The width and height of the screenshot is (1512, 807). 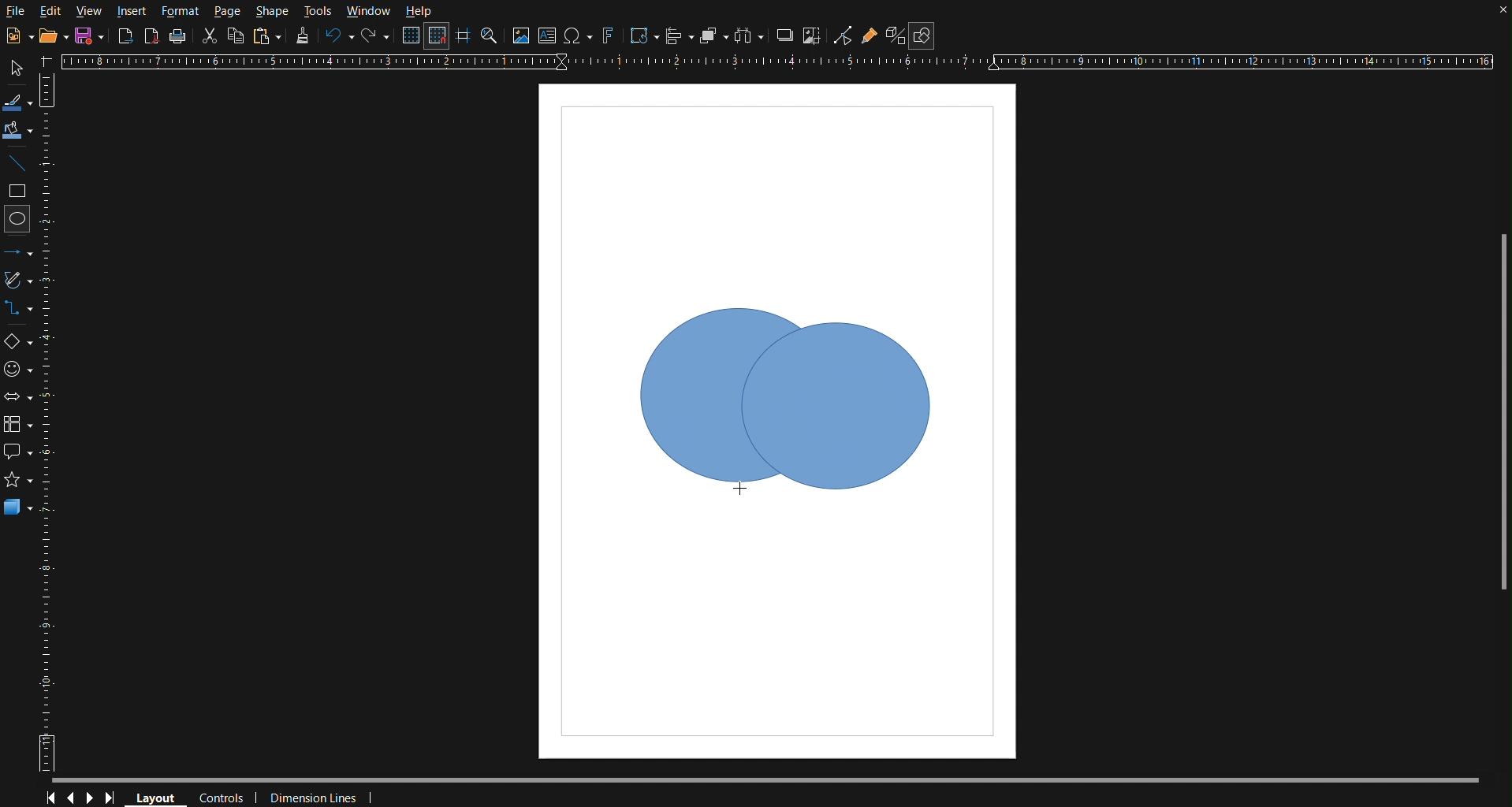 What do you see at coordinates (643, 36) in the screenshot?
I see `Transformation` at bounding box center [643, 36].